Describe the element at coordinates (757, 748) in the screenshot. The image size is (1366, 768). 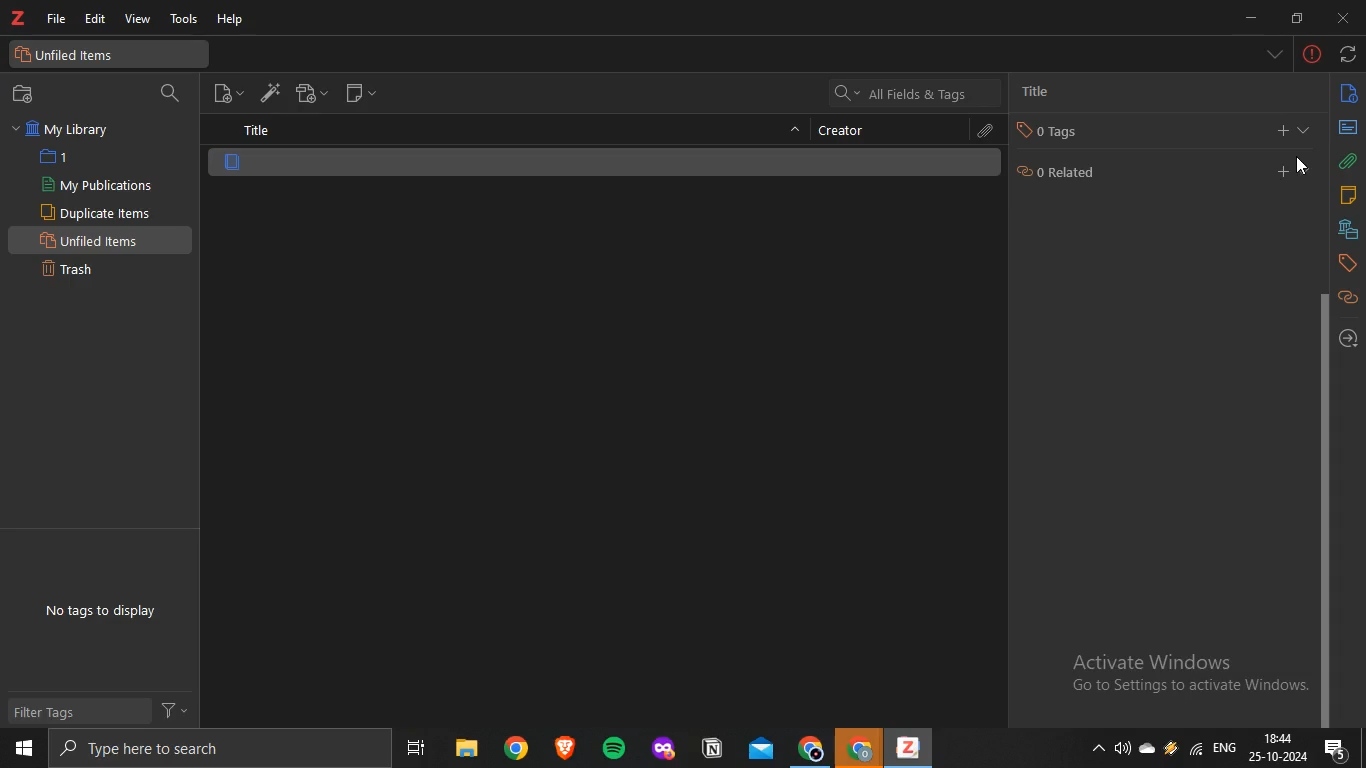
I see `mail` at that location.